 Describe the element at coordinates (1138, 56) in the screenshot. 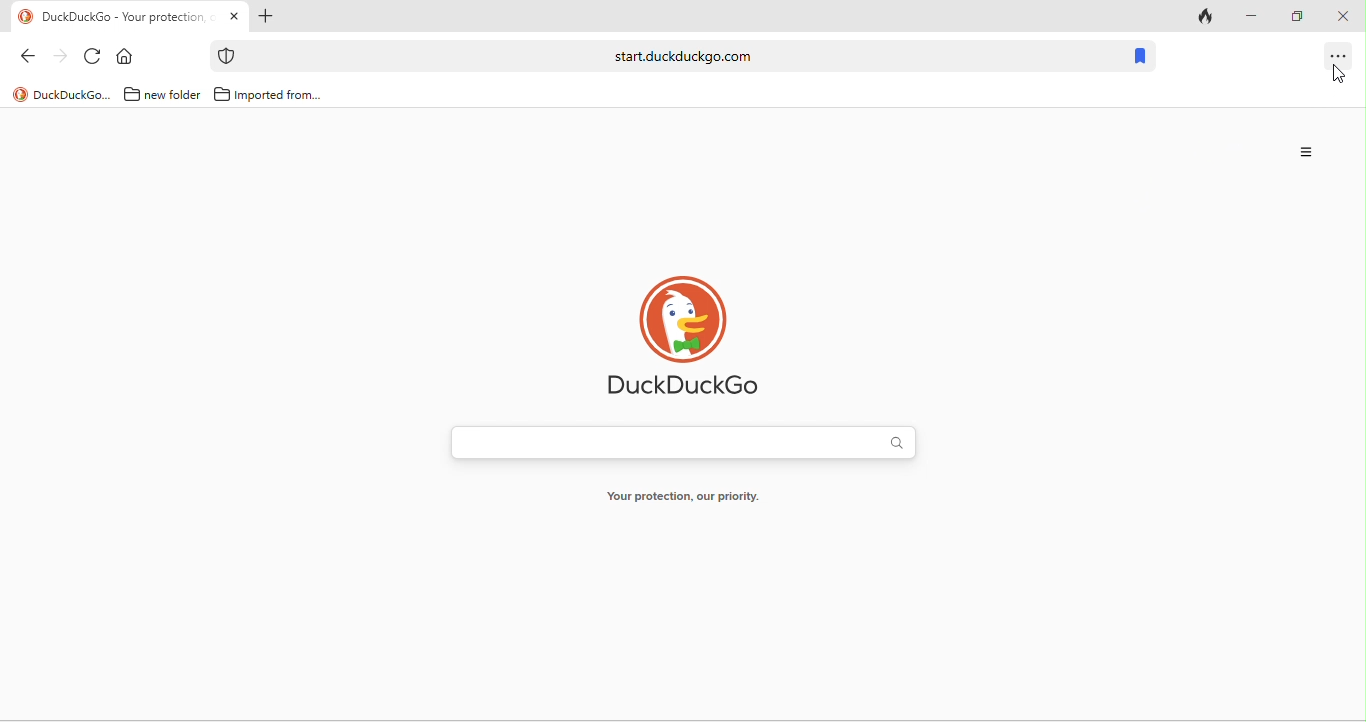

I see `bookmark` at that location.